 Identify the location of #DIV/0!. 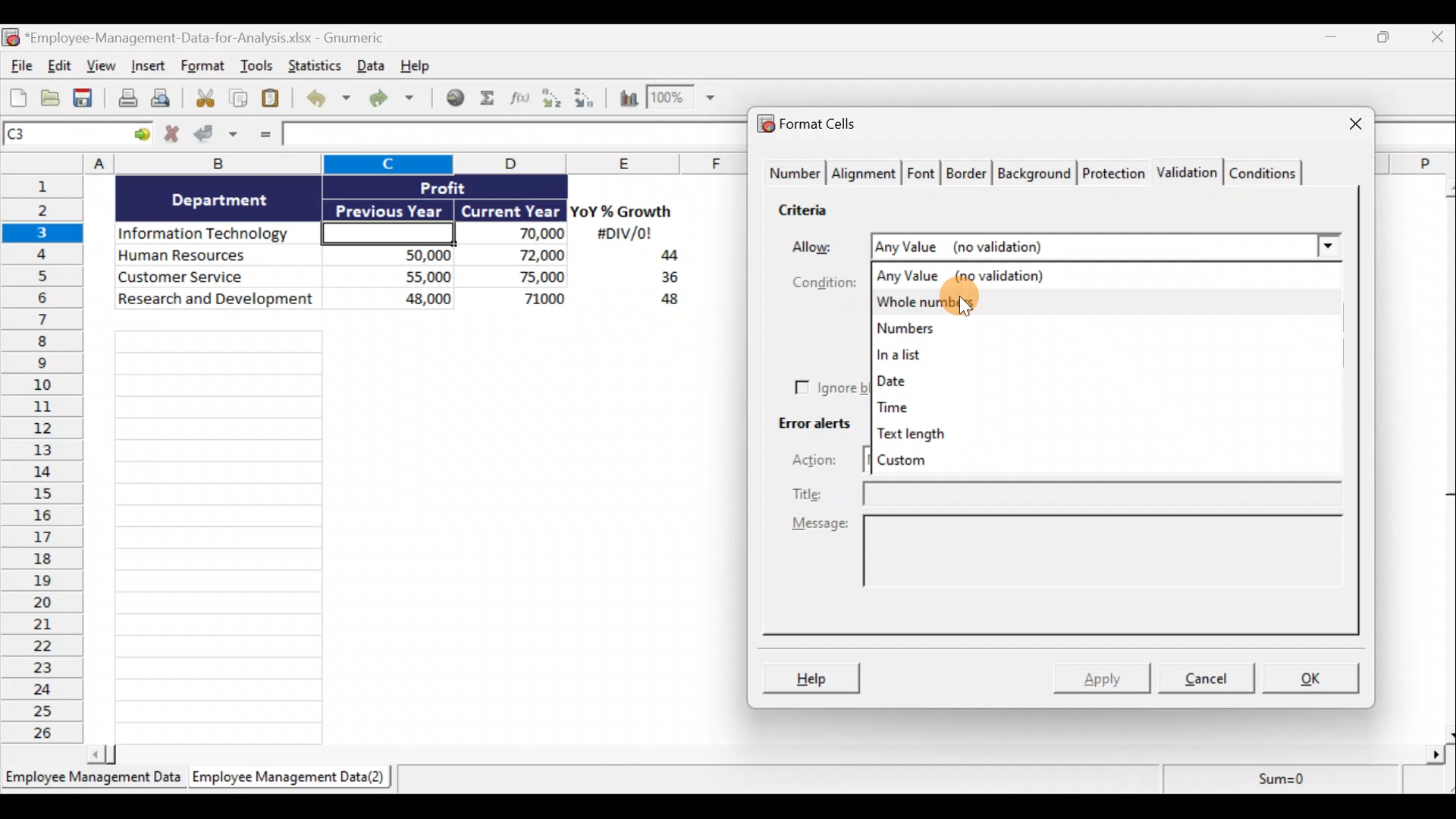
(623, 234).